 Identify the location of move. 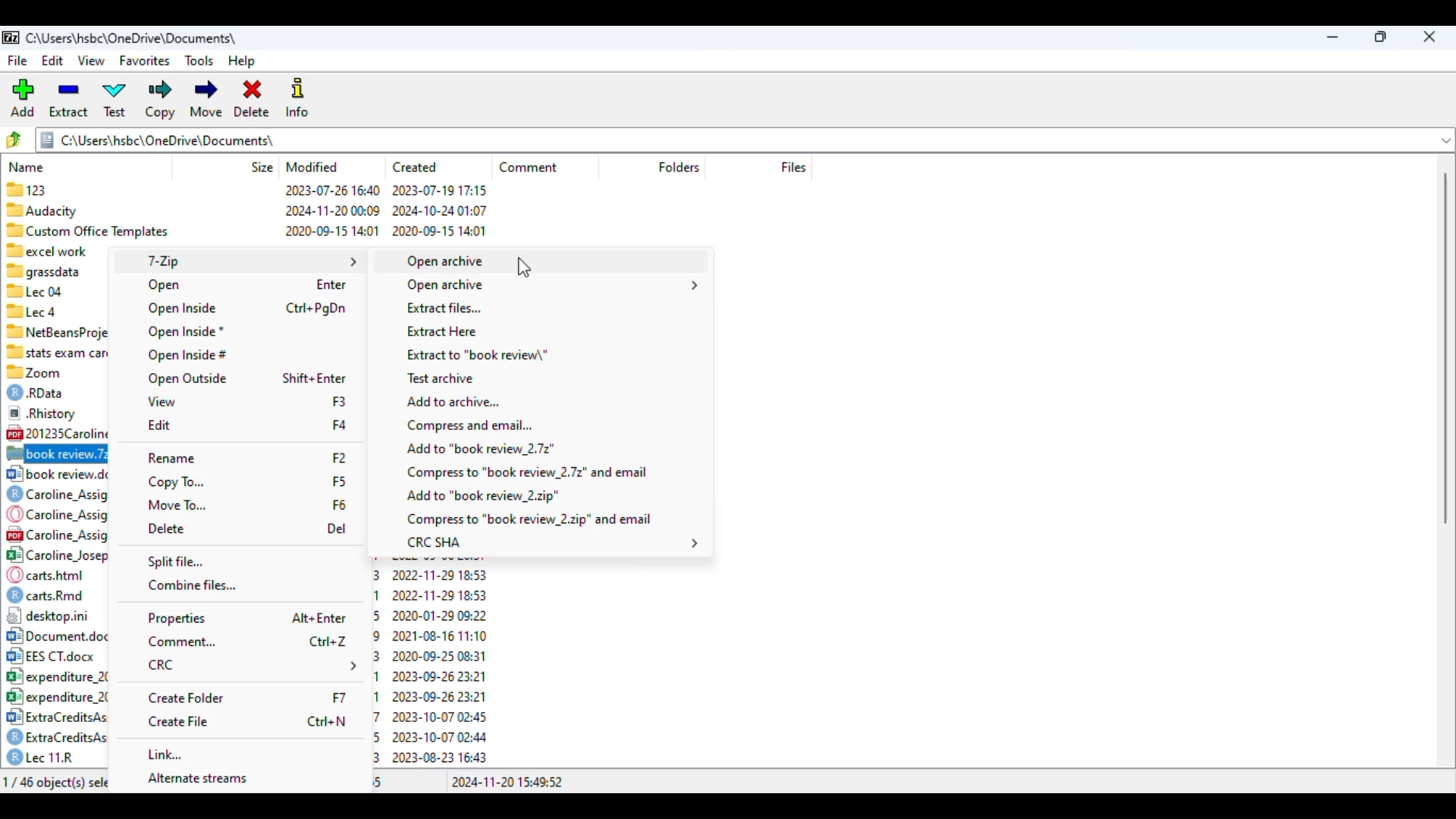
(206, 101).